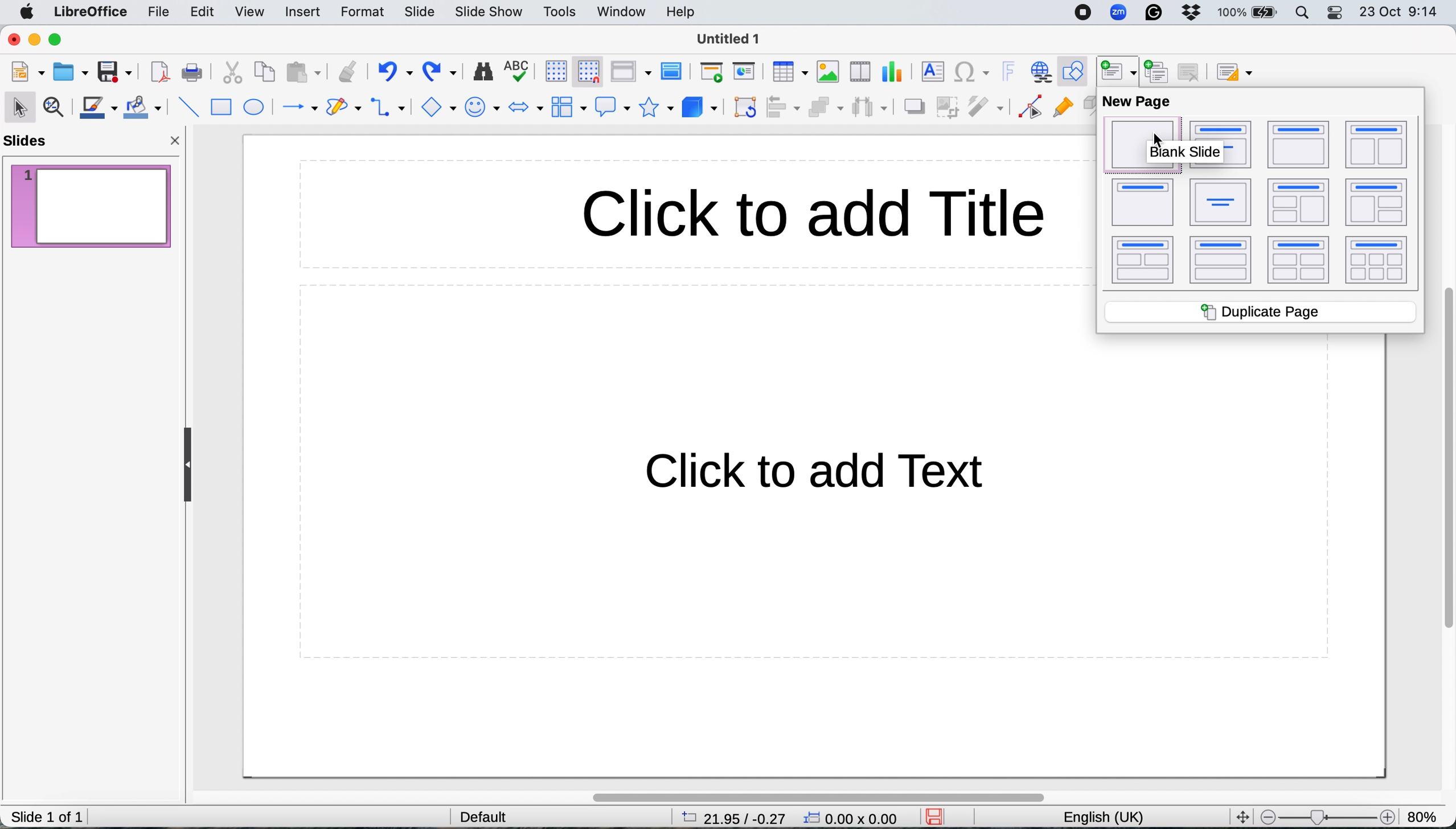 The width and height of the screenshot is (1456, 829). What do you see at coordinates (19, 105) in the screenshot?
I see `selection tool` at bounding box center [19, 105].